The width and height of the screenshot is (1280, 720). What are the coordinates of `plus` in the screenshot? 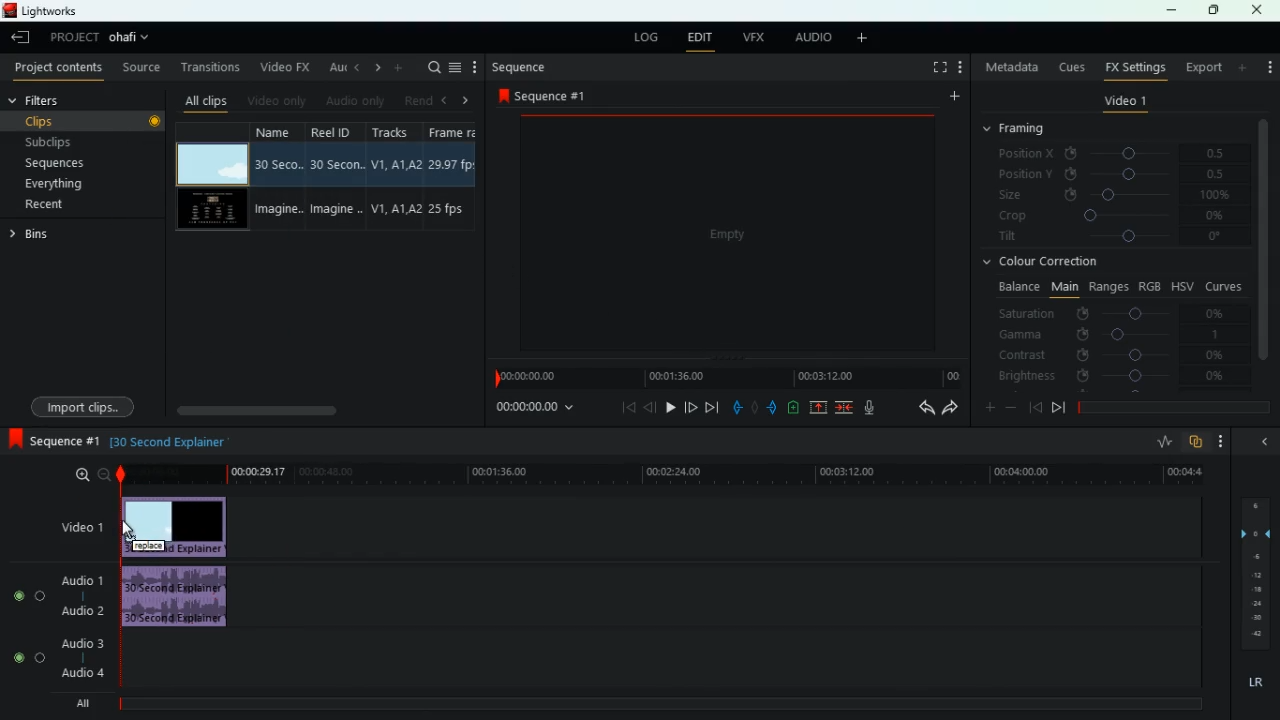 It's located at (987, 409).